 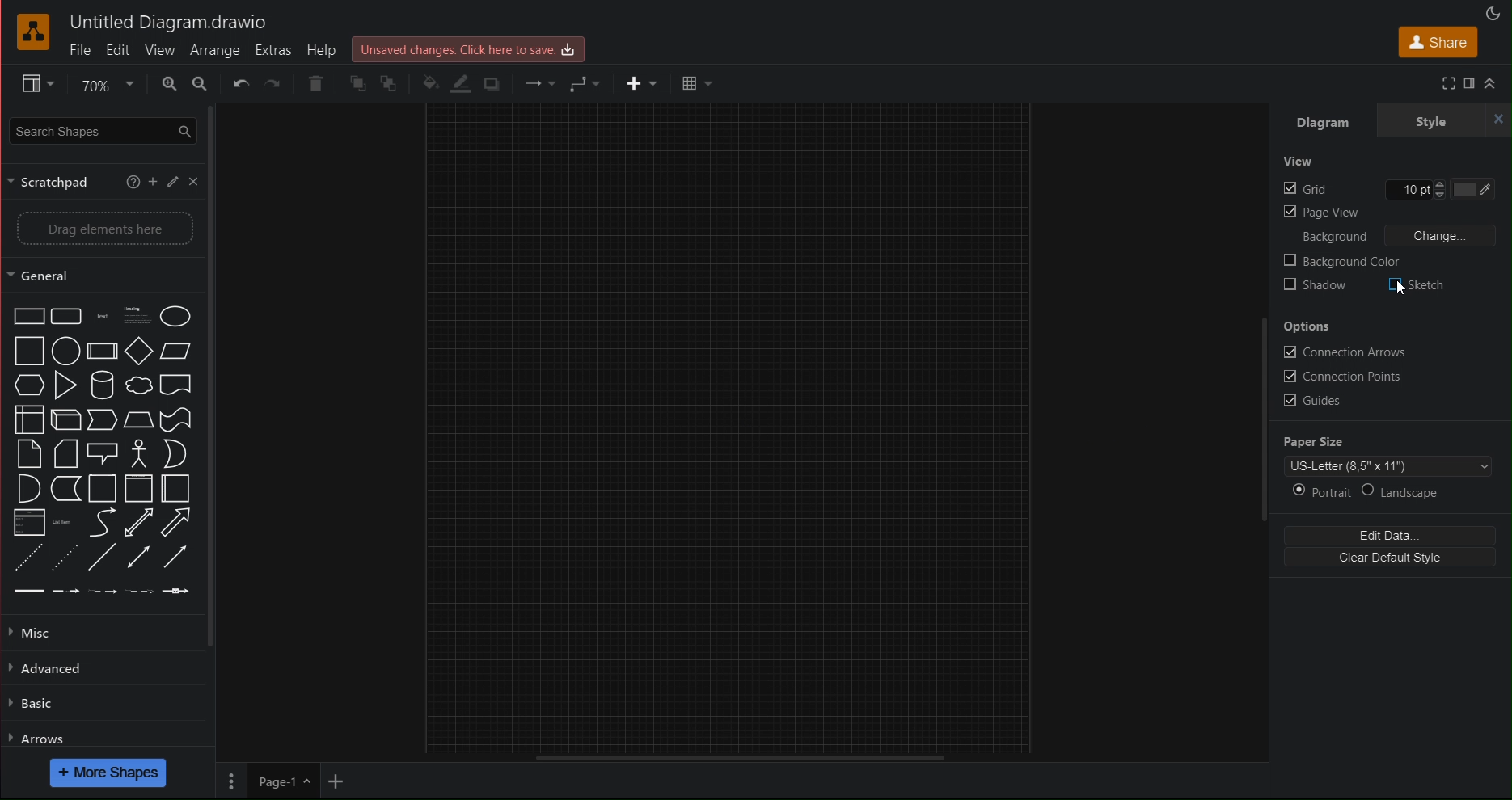 I want to click on note, so click(x=27, y=453).